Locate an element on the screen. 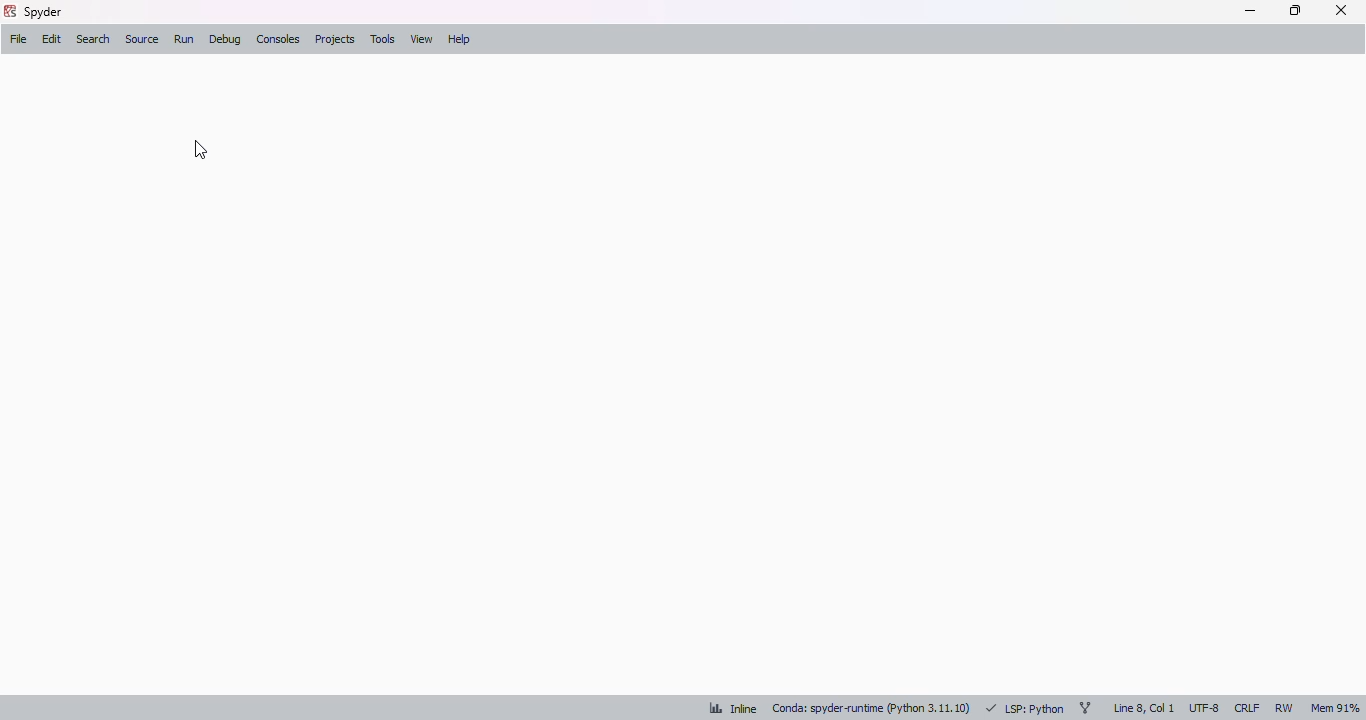  UTF-8 is located at coordinates (1205, 708).